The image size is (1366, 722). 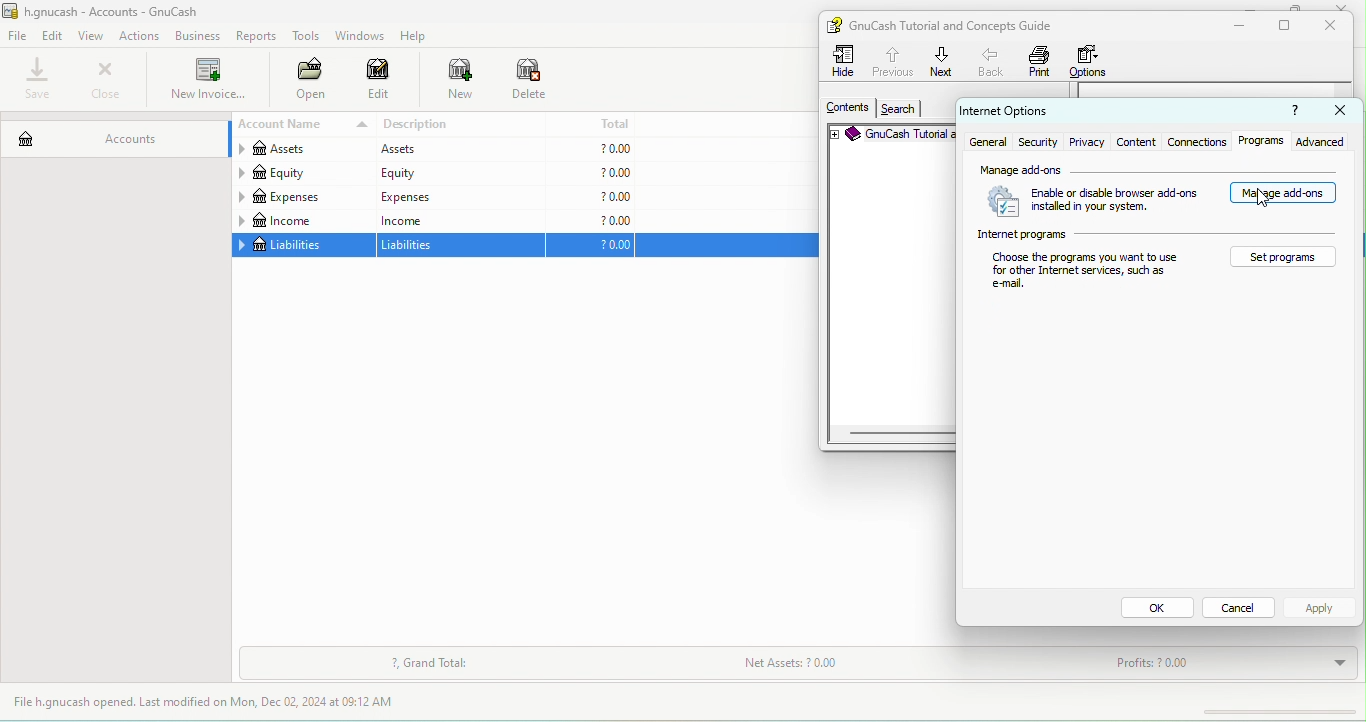 I want to click on next, so click(x=942, y=61).